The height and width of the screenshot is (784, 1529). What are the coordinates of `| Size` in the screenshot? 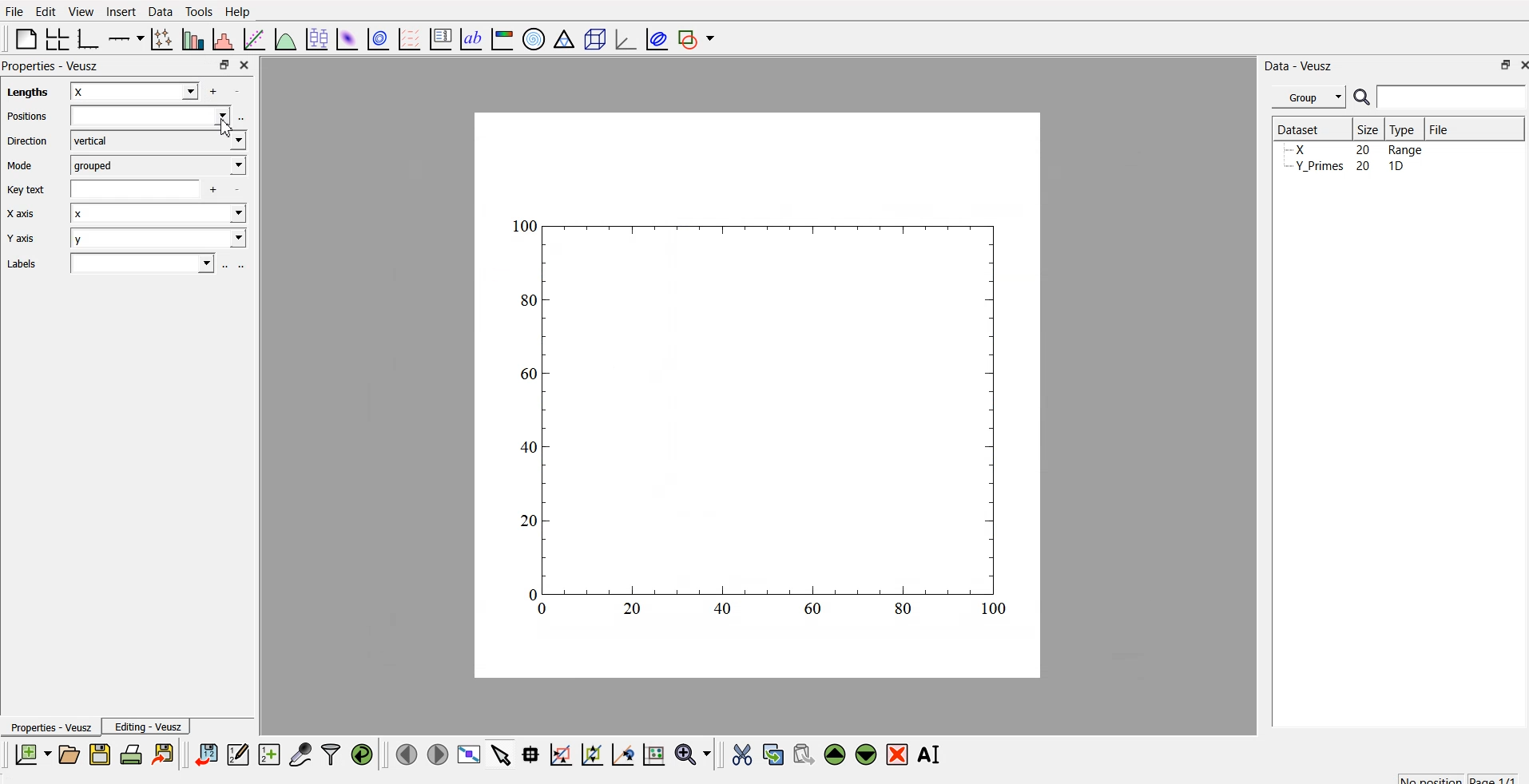 It's located at (1369, 129).